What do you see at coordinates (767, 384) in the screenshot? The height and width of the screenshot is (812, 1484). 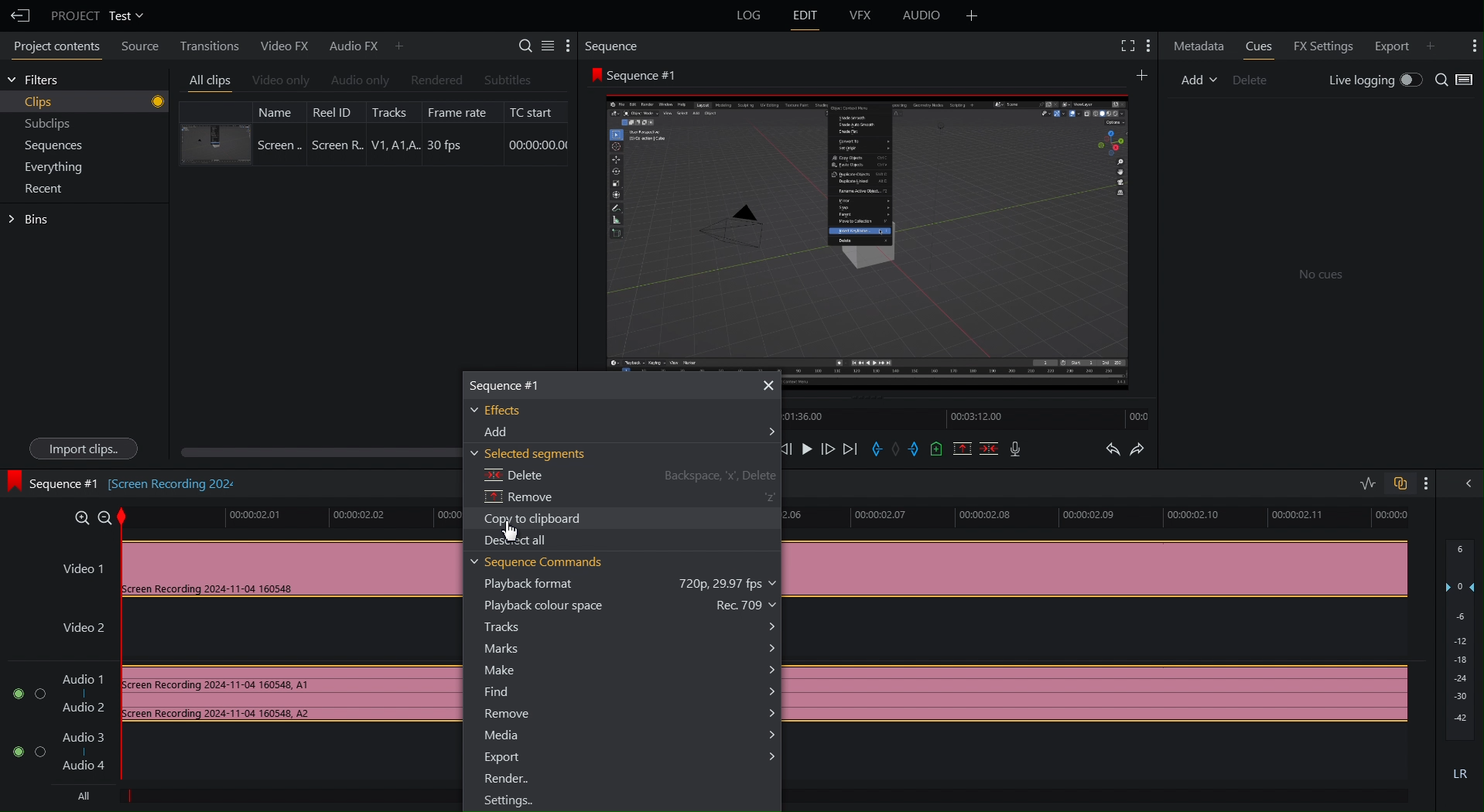 I see `Close` at bounding box center [767, 384].